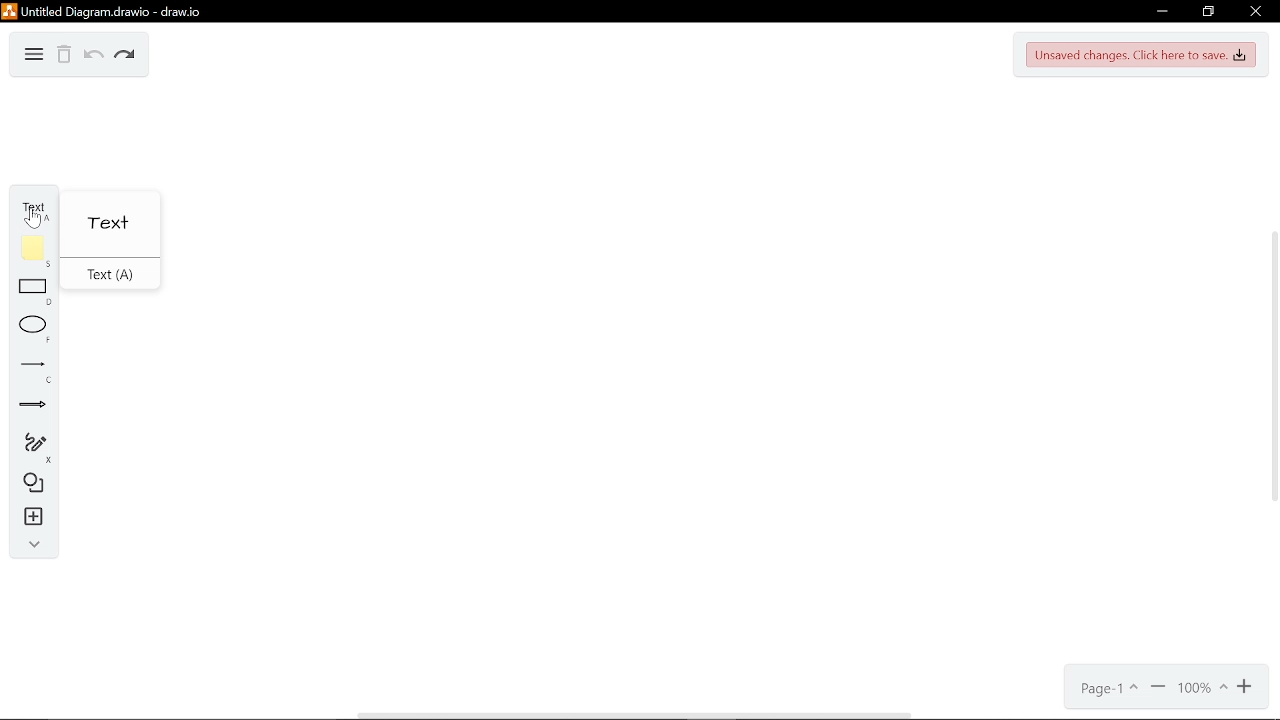 Image resolution: width=1280 pixels, height=720 pixels. What do you see at coordinates (1144, 54) in the screenshot?
I see `Unsaved changes. Click here to save` at bounding box center [1144, 54].